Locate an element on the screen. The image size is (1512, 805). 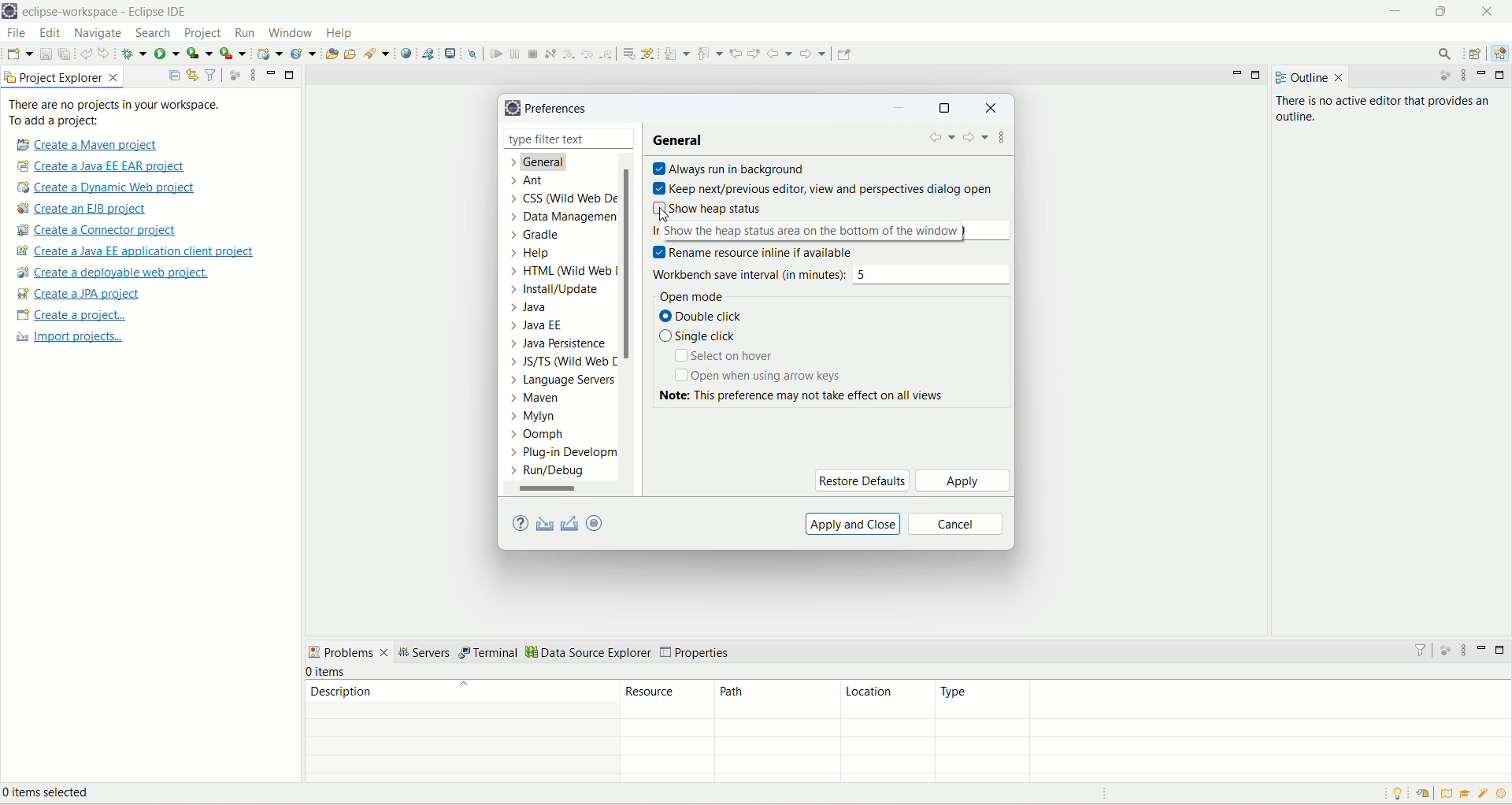
close is located at coordinates (1487, 11).